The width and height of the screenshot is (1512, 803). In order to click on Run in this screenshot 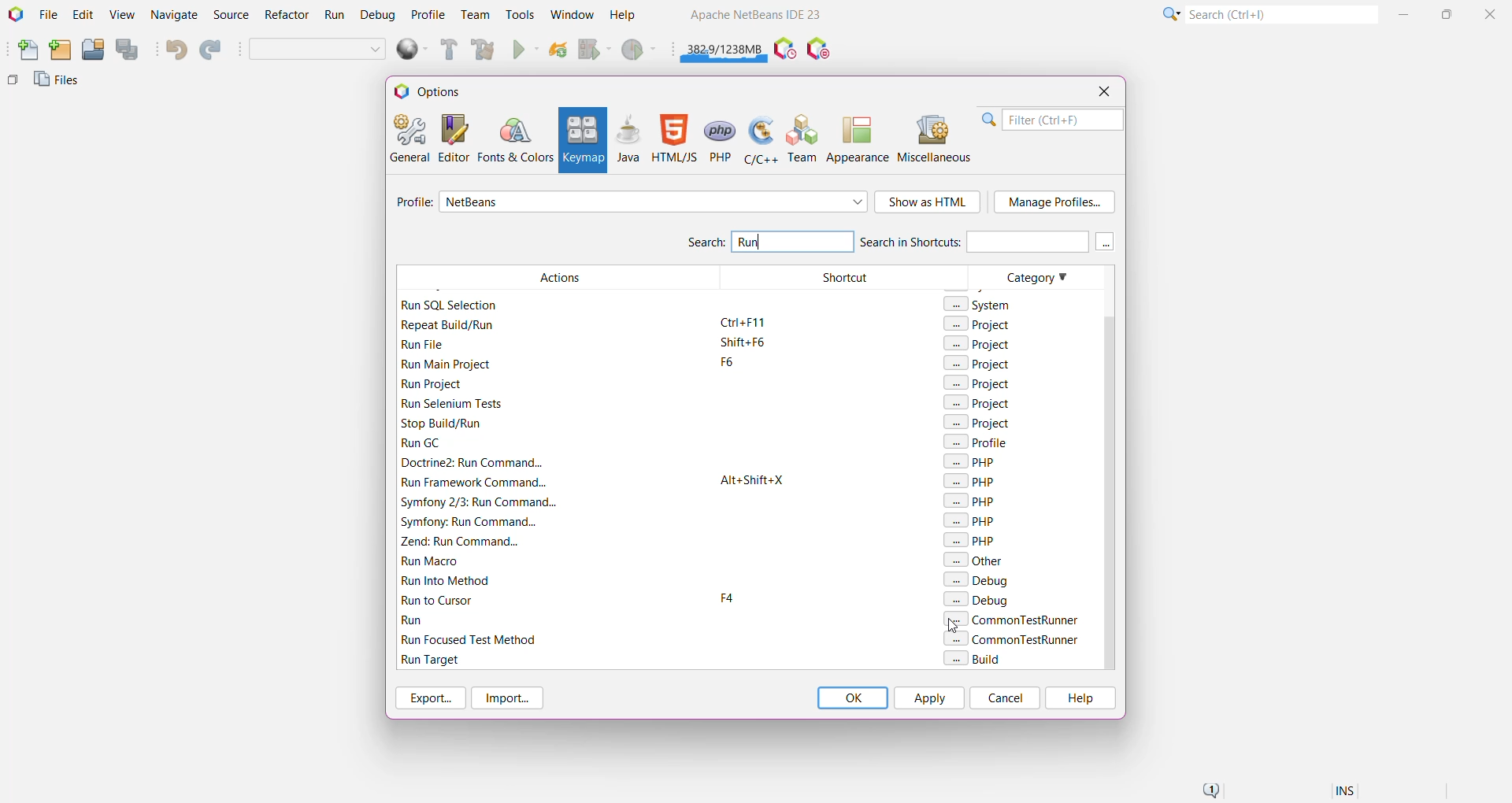, I will do `click(526, 51)`.